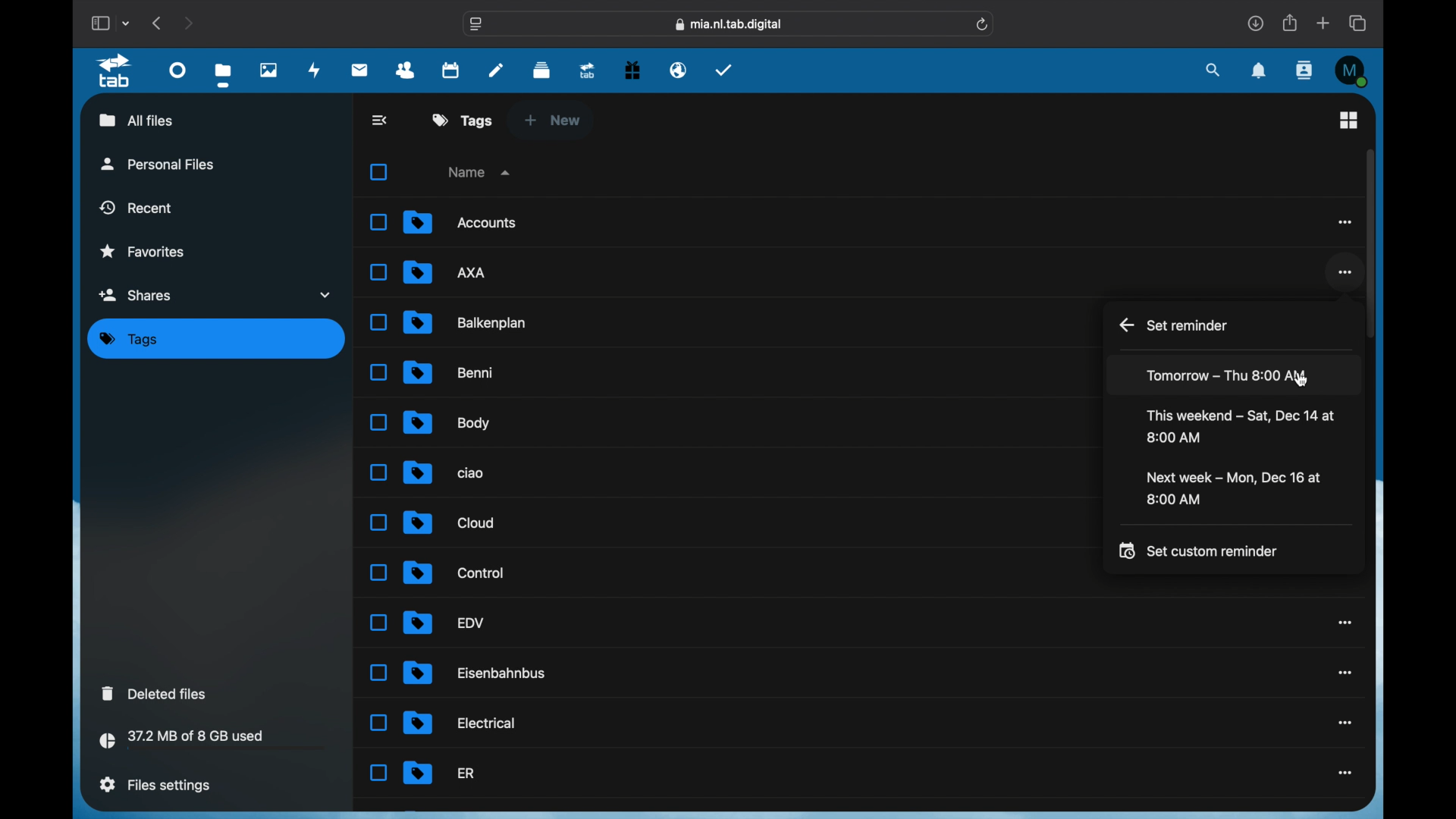 Image resolution: width=1456 pixels, height=819 pixels. I want to click on M, so click(1353, 71).